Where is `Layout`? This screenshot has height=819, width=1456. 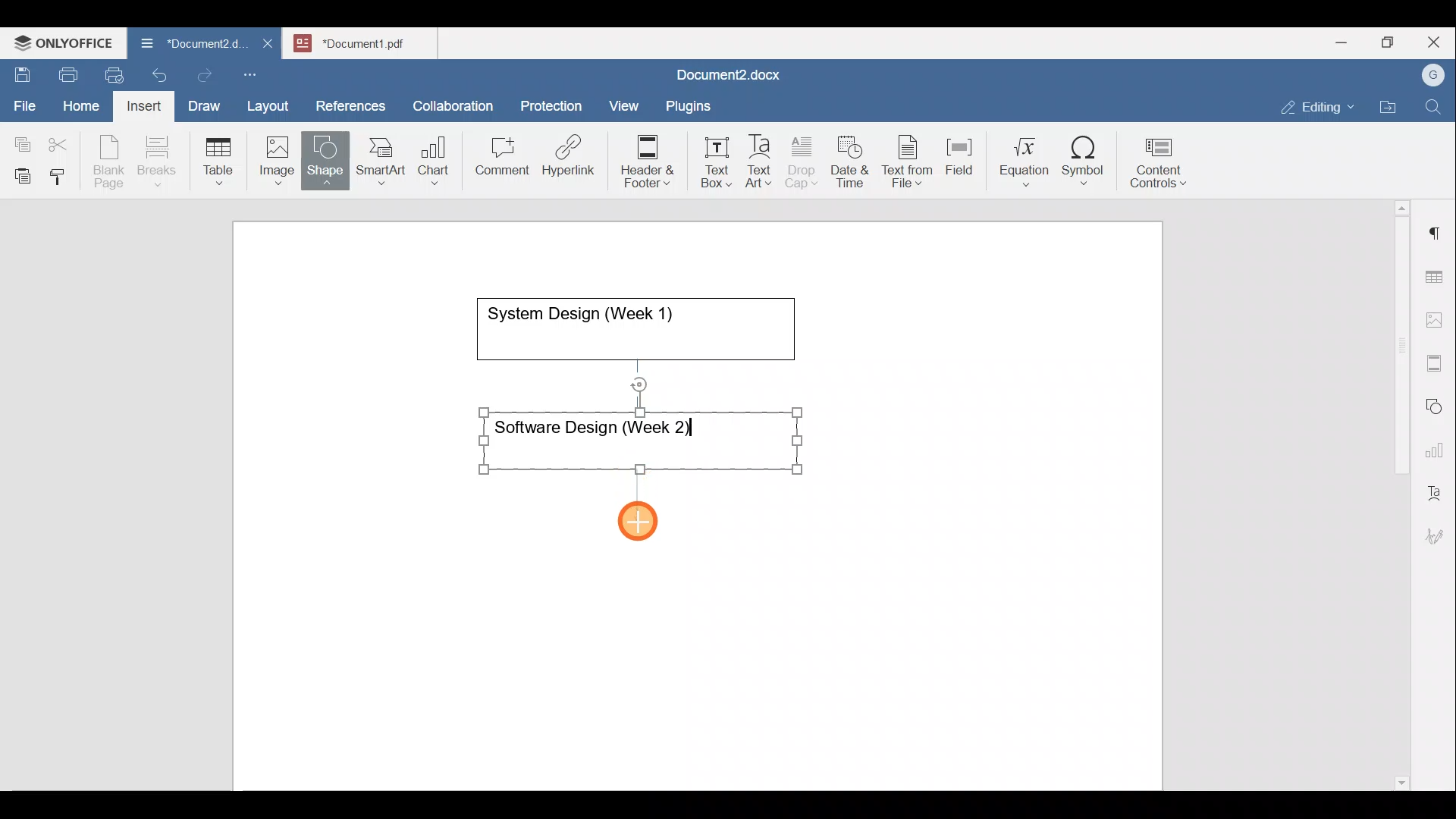
Layout is located at coordinates (271, 103).